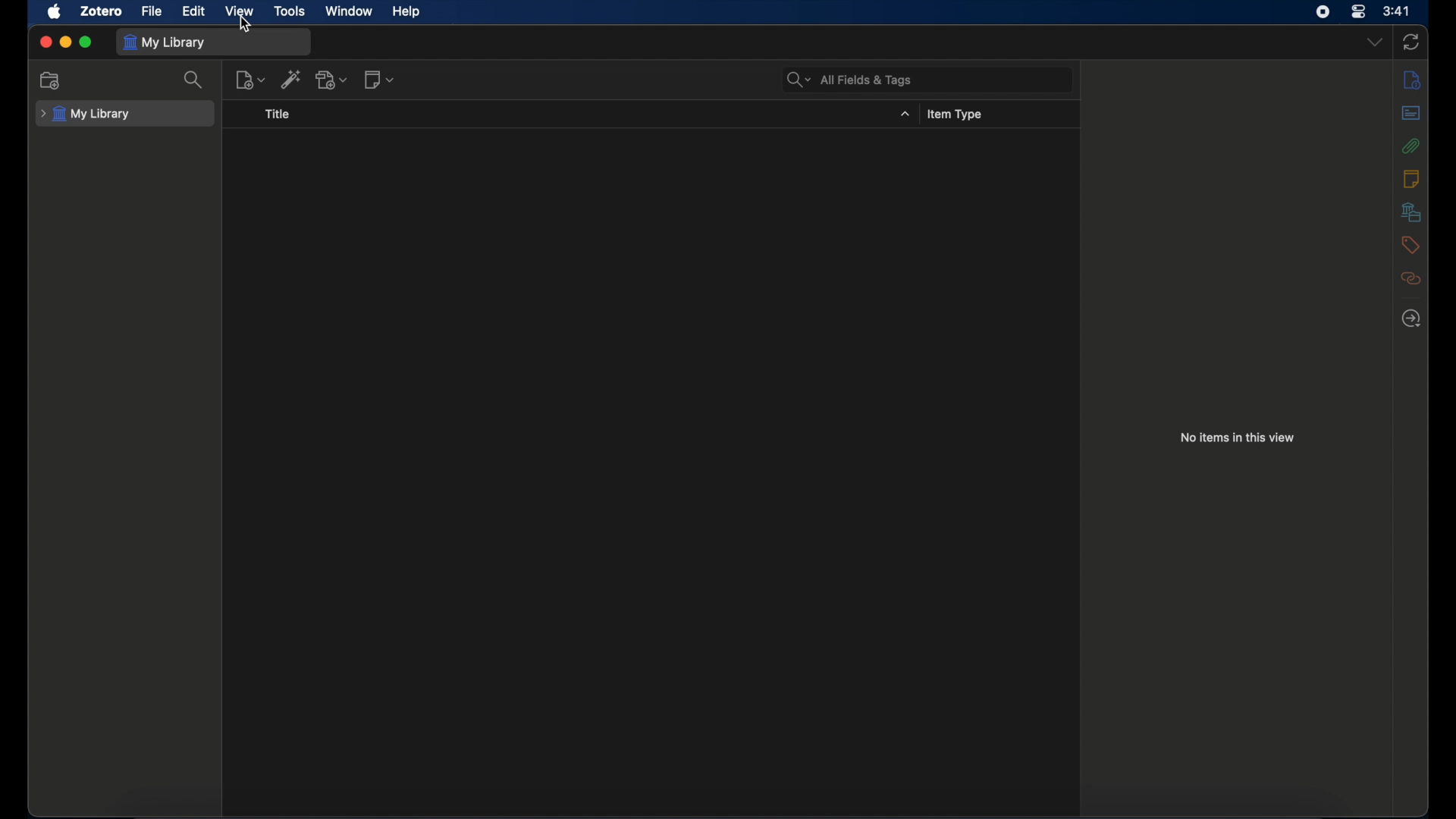  What do you see at coordinates (406, 12) in the screenshot?
I see `help` at bounding box center [406, 12].